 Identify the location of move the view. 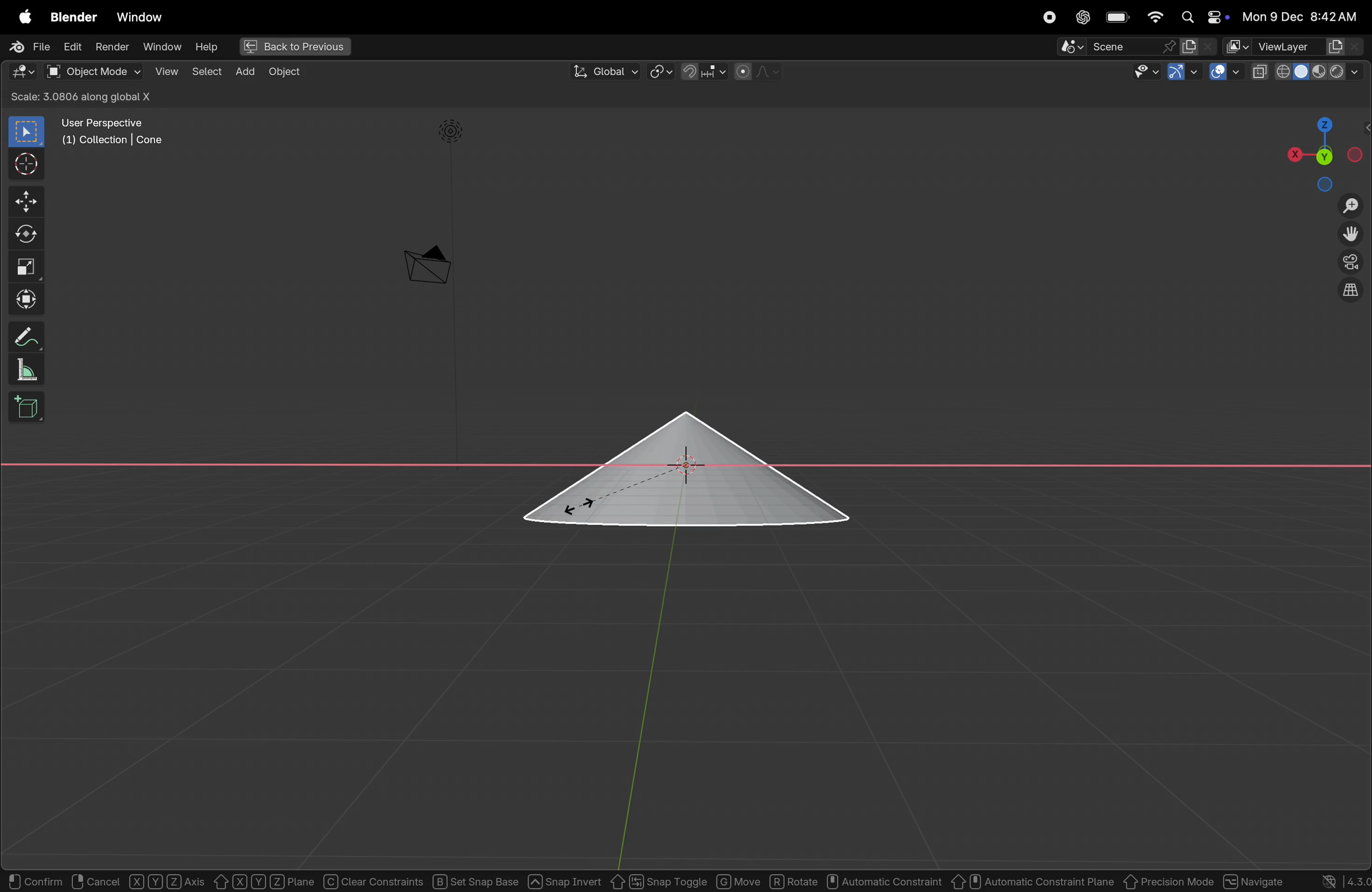
(1351, 233).